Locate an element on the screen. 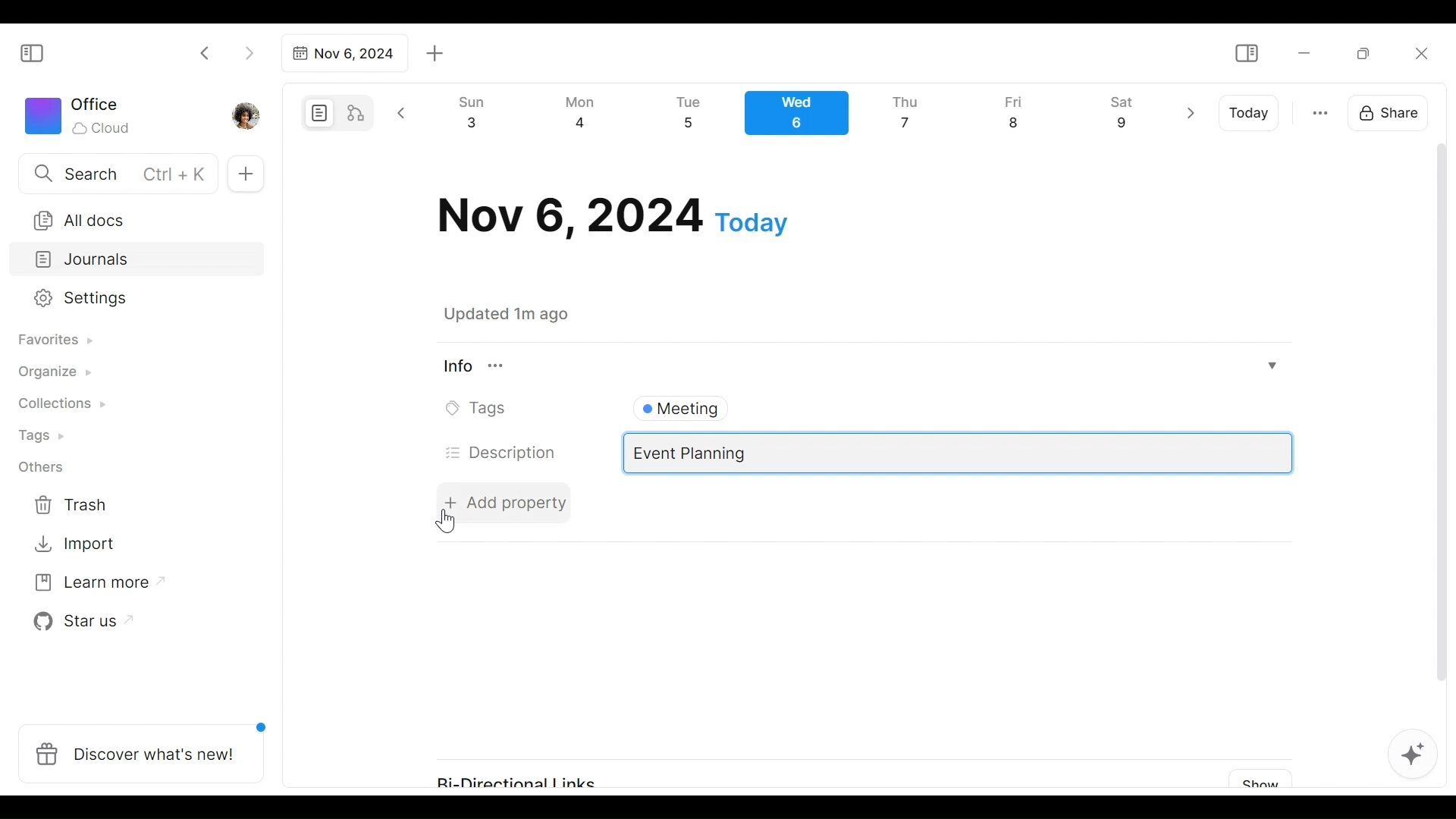 The image size is (1456, 819). Discover what's new is located at coordinates (147, 745).